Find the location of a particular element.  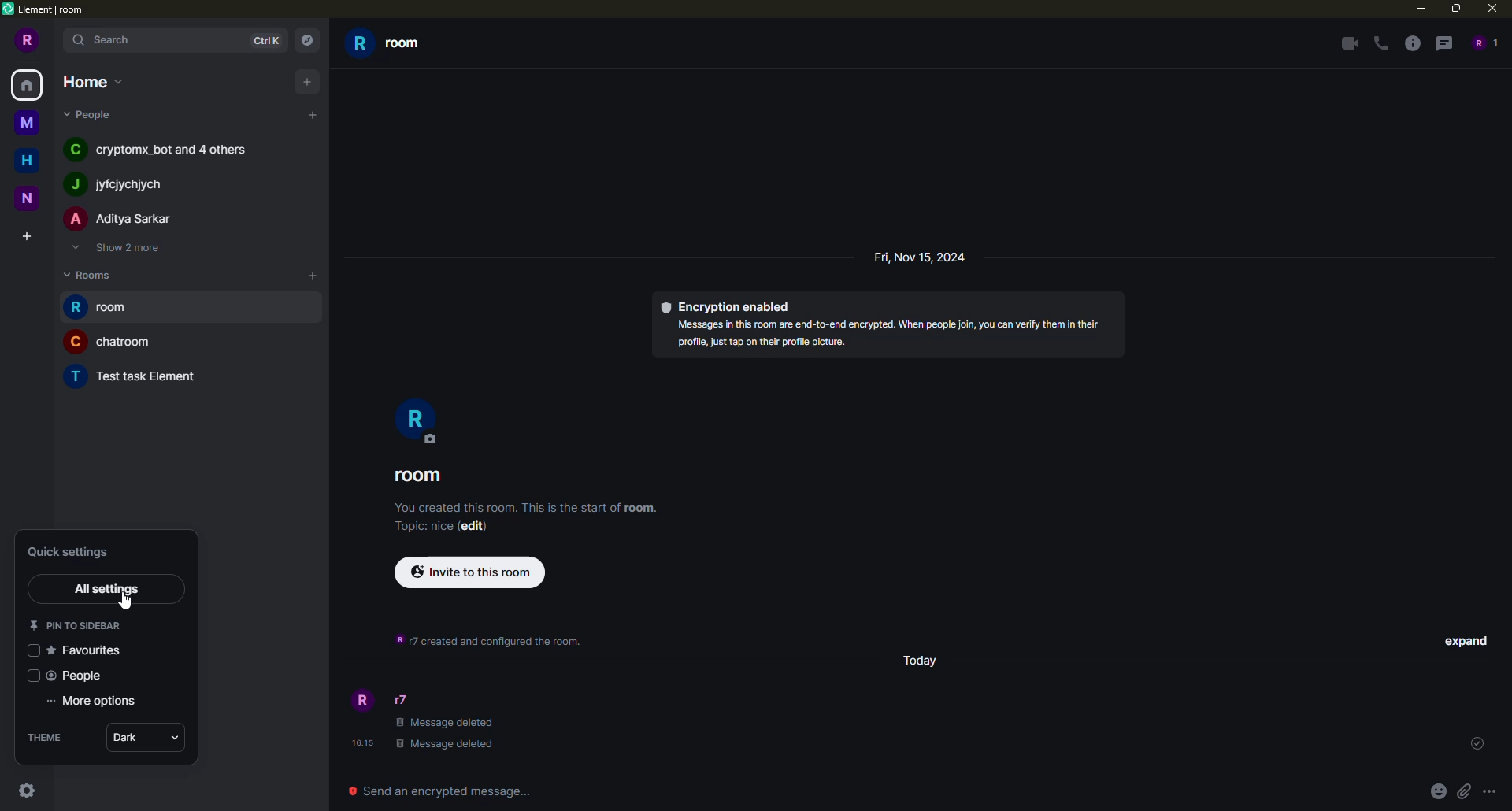

threads is located at coordinates (1442, 43).